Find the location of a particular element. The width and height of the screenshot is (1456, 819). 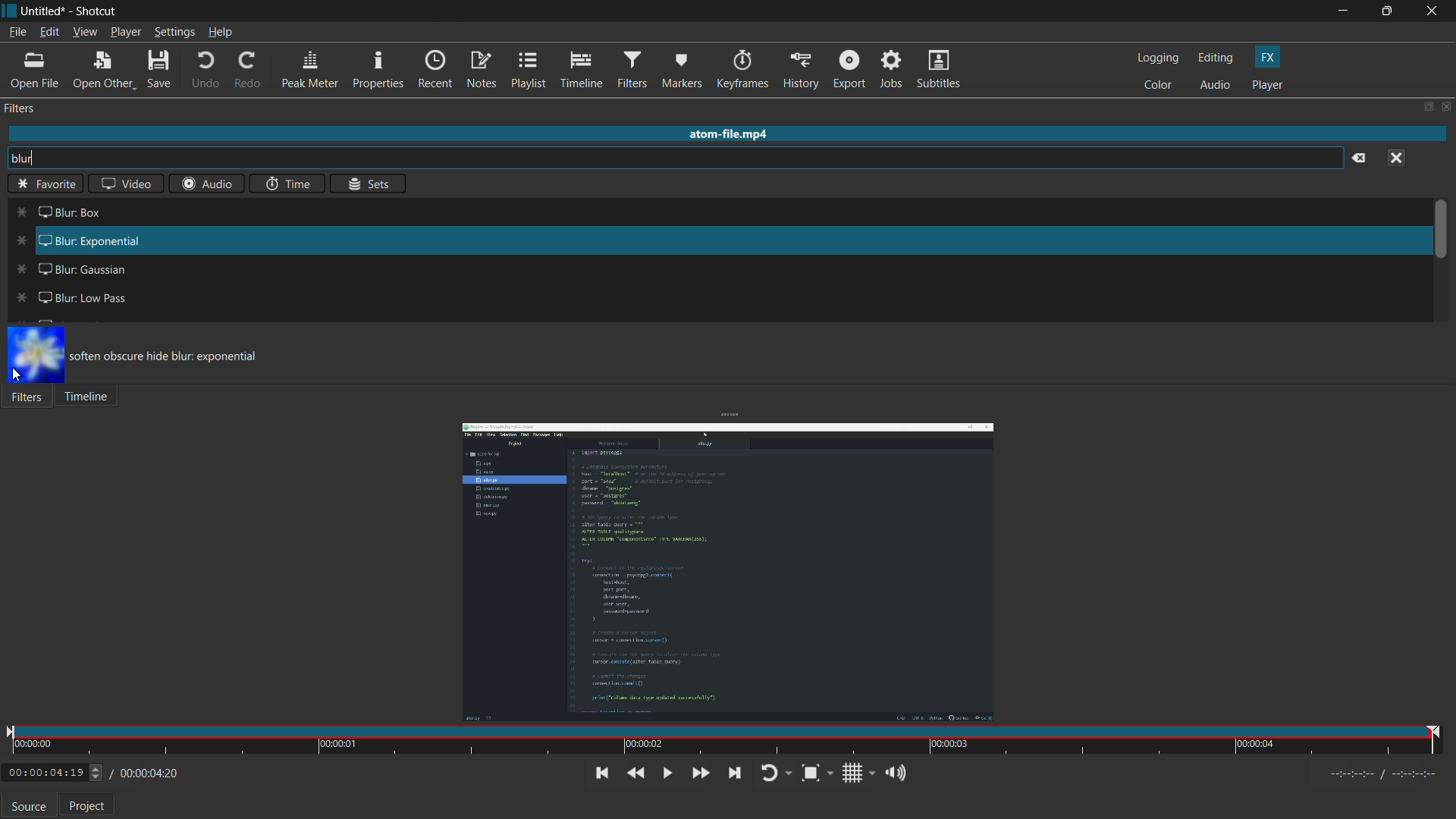

 is located at coordinates (48, 183).